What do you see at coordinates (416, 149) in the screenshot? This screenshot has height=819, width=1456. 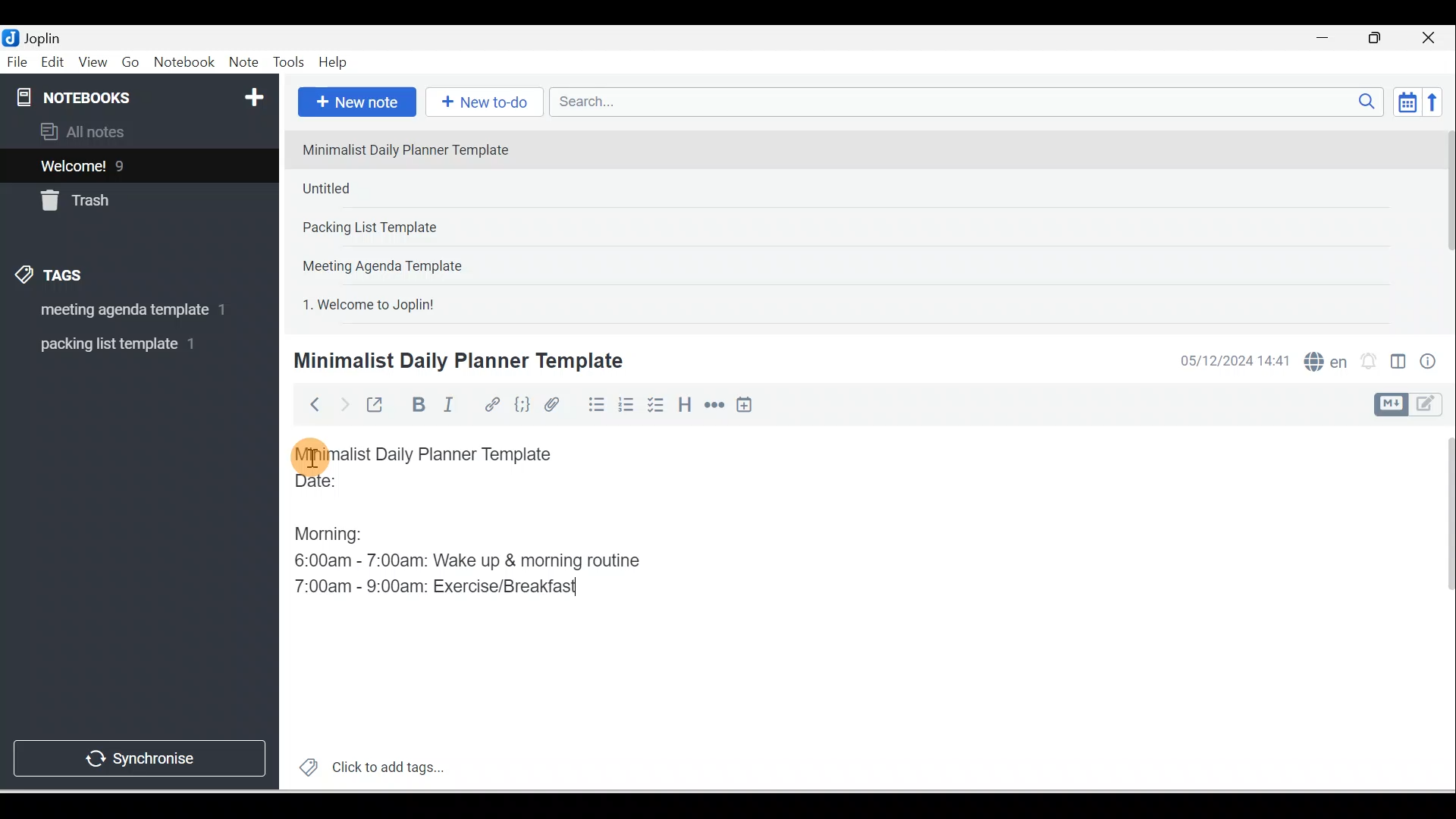 I see `Note 1` at bounding box center [416, 149].